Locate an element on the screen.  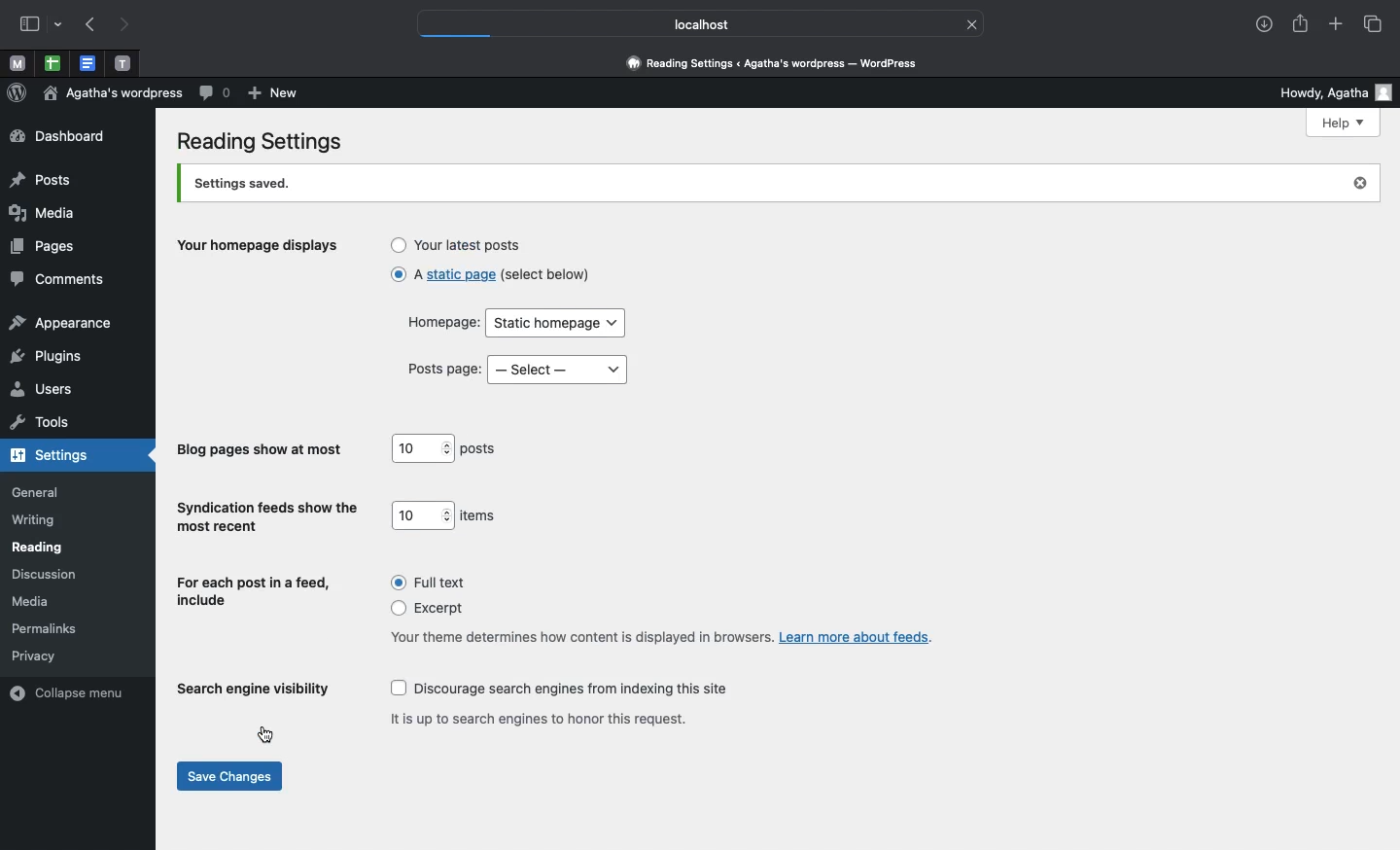
select is located at coordinates (560, 370).